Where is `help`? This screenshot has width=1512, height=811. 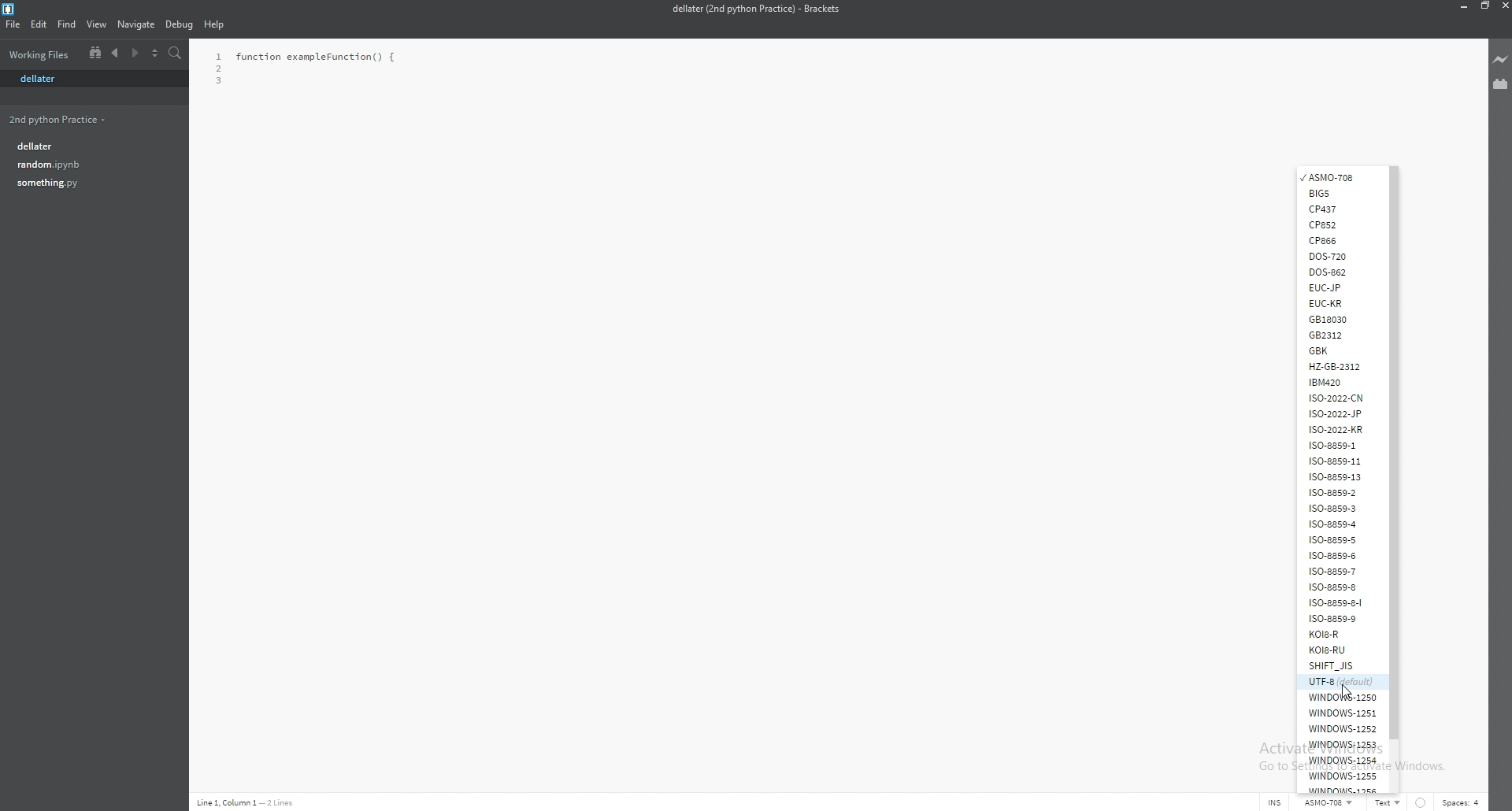 help is located at coordinates (215, 24).